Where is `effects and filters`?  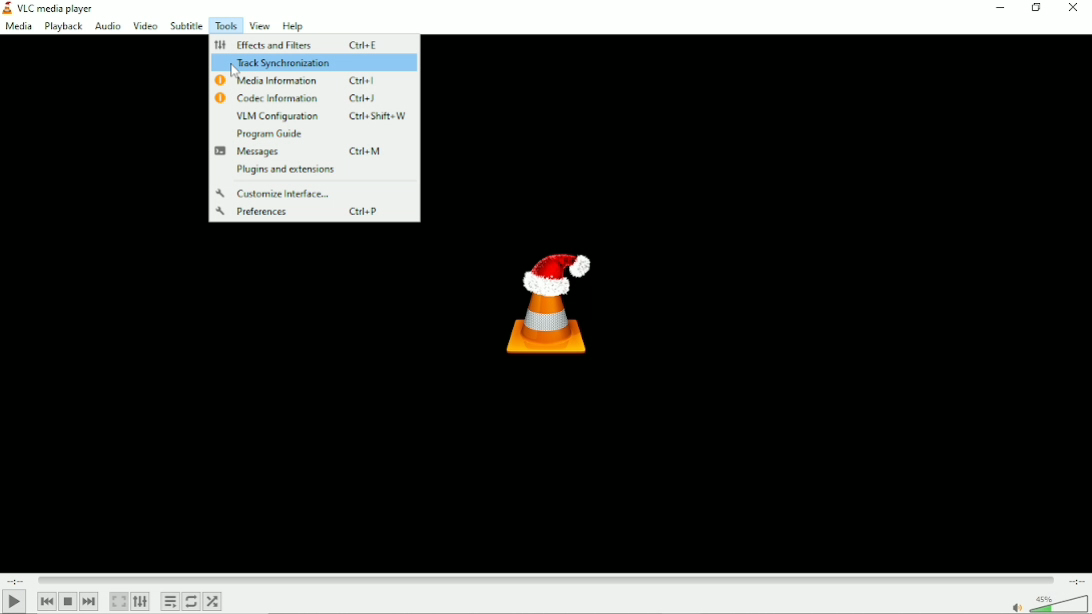 effects and filters is located at coordinates (297, 44).